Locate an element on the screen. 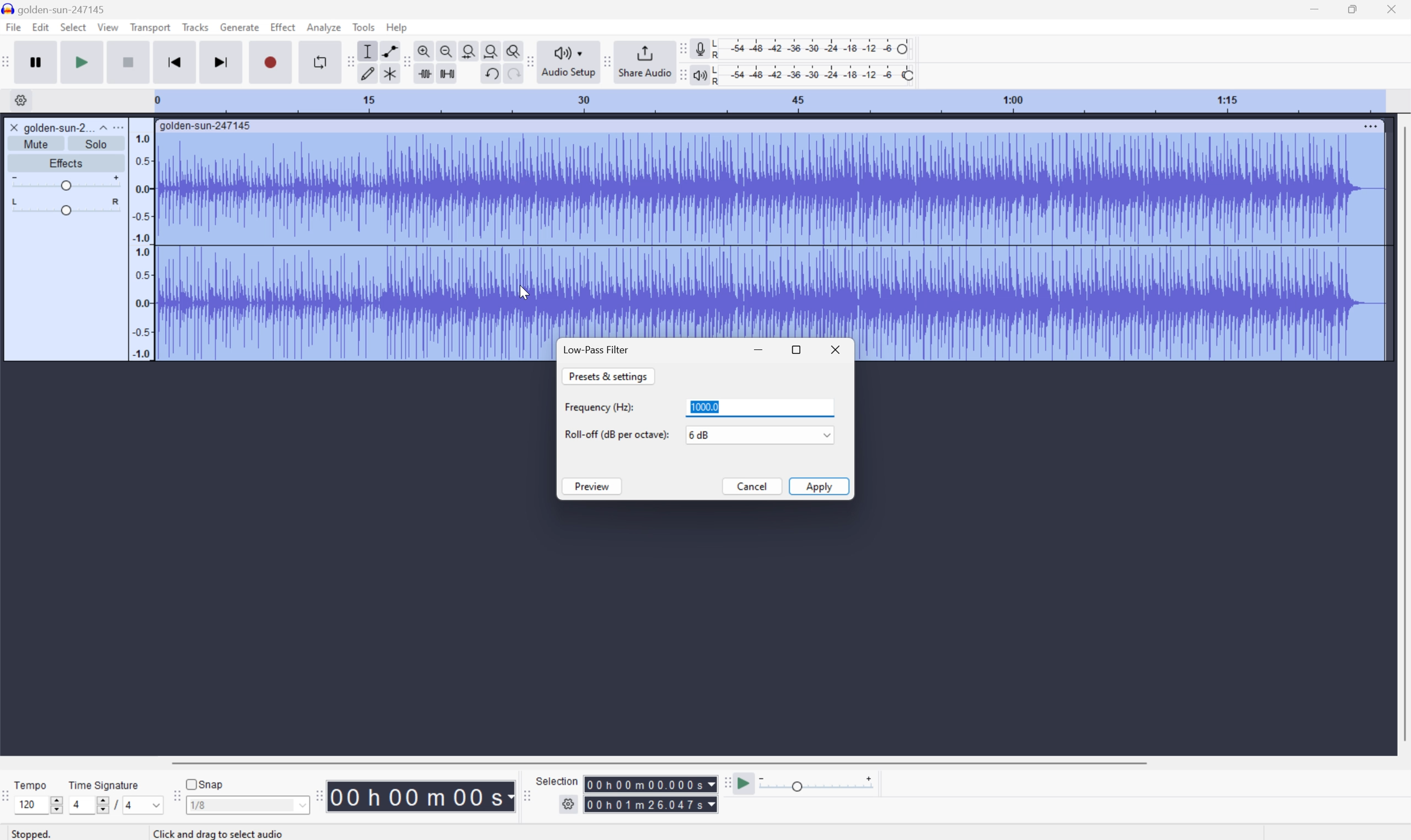 This screenshot has width=1411, height=840. Multi tool is located at coordinates (387, 76).